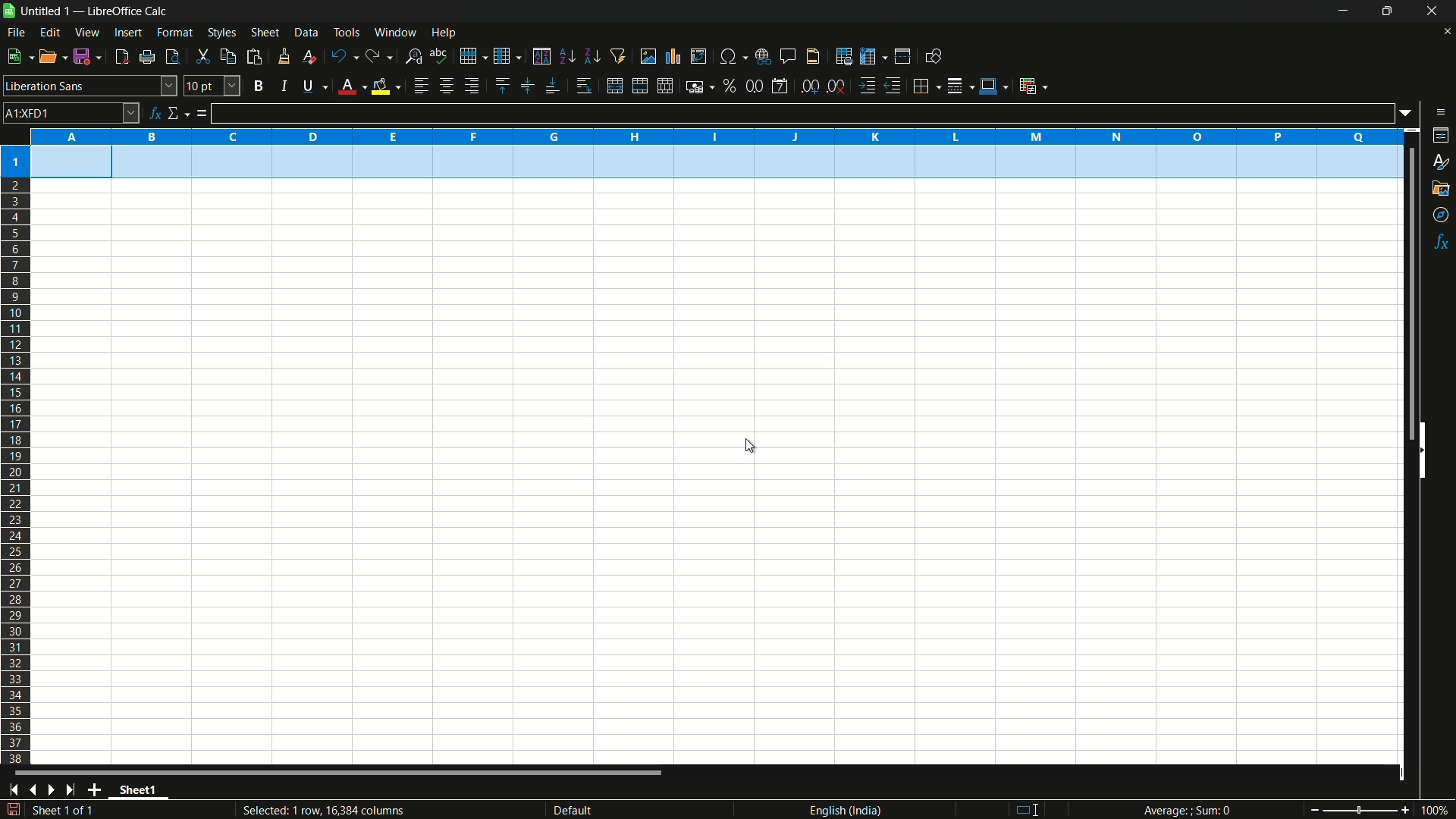 Image resolution: width=1456 pixels, height=819 pixels. I want to click on view menu, so click(88, 33).